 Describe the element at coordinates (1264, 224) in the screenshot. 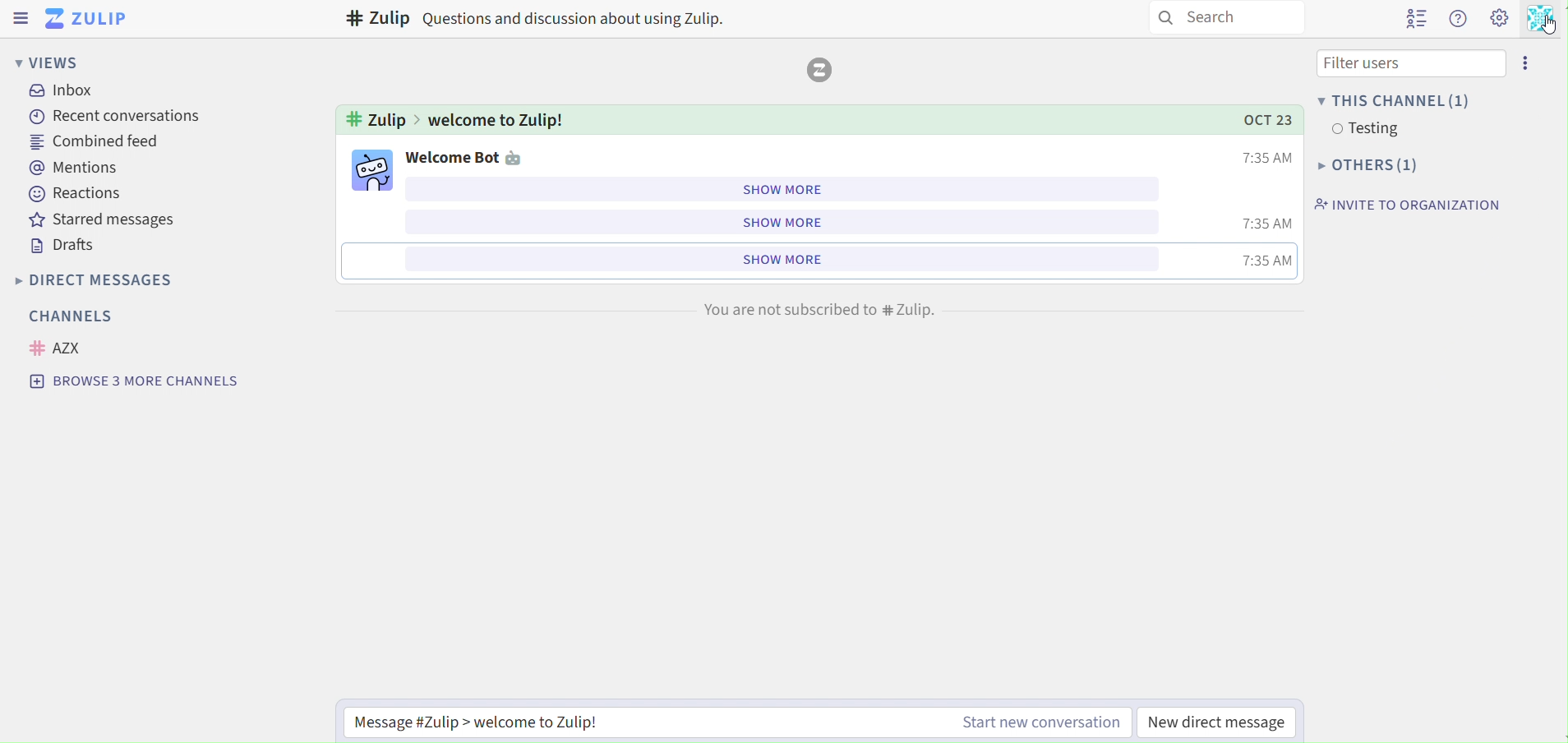

I see `7:35AM` at that location.